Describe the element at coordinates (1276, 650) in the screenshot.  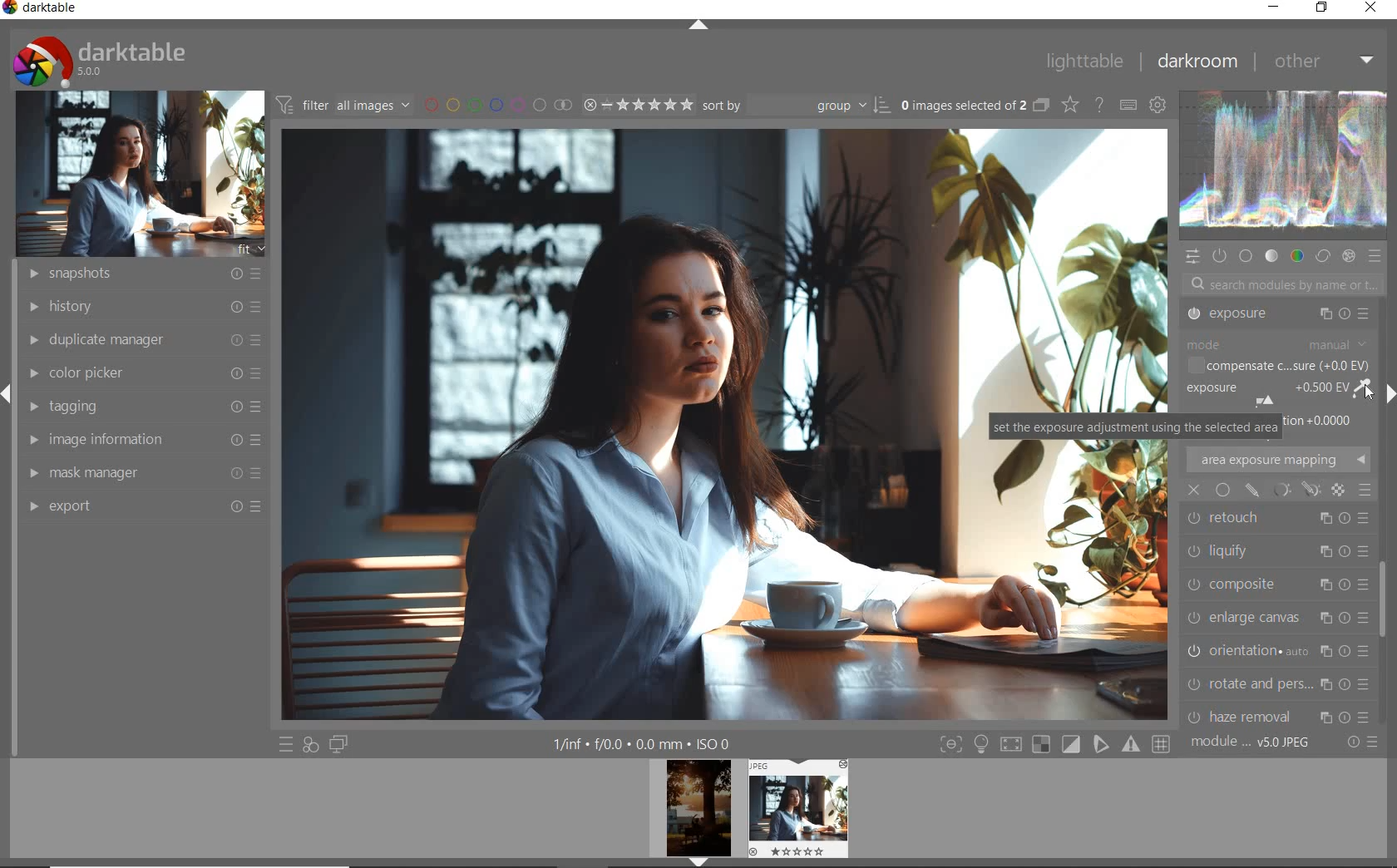
I see `CHROMATIC ABER` at that location.